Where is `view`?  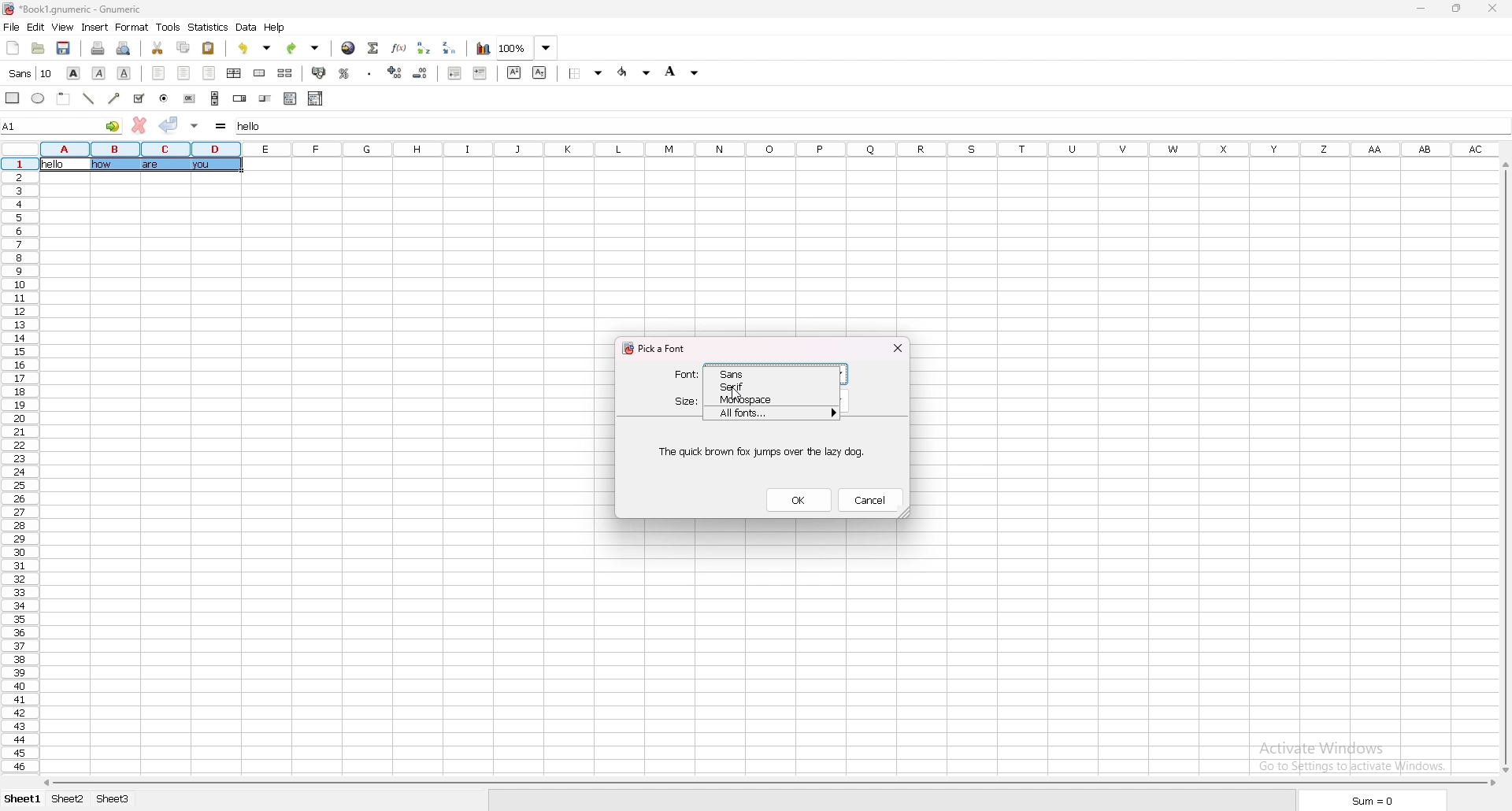 view is located at coordinates (63, 28).